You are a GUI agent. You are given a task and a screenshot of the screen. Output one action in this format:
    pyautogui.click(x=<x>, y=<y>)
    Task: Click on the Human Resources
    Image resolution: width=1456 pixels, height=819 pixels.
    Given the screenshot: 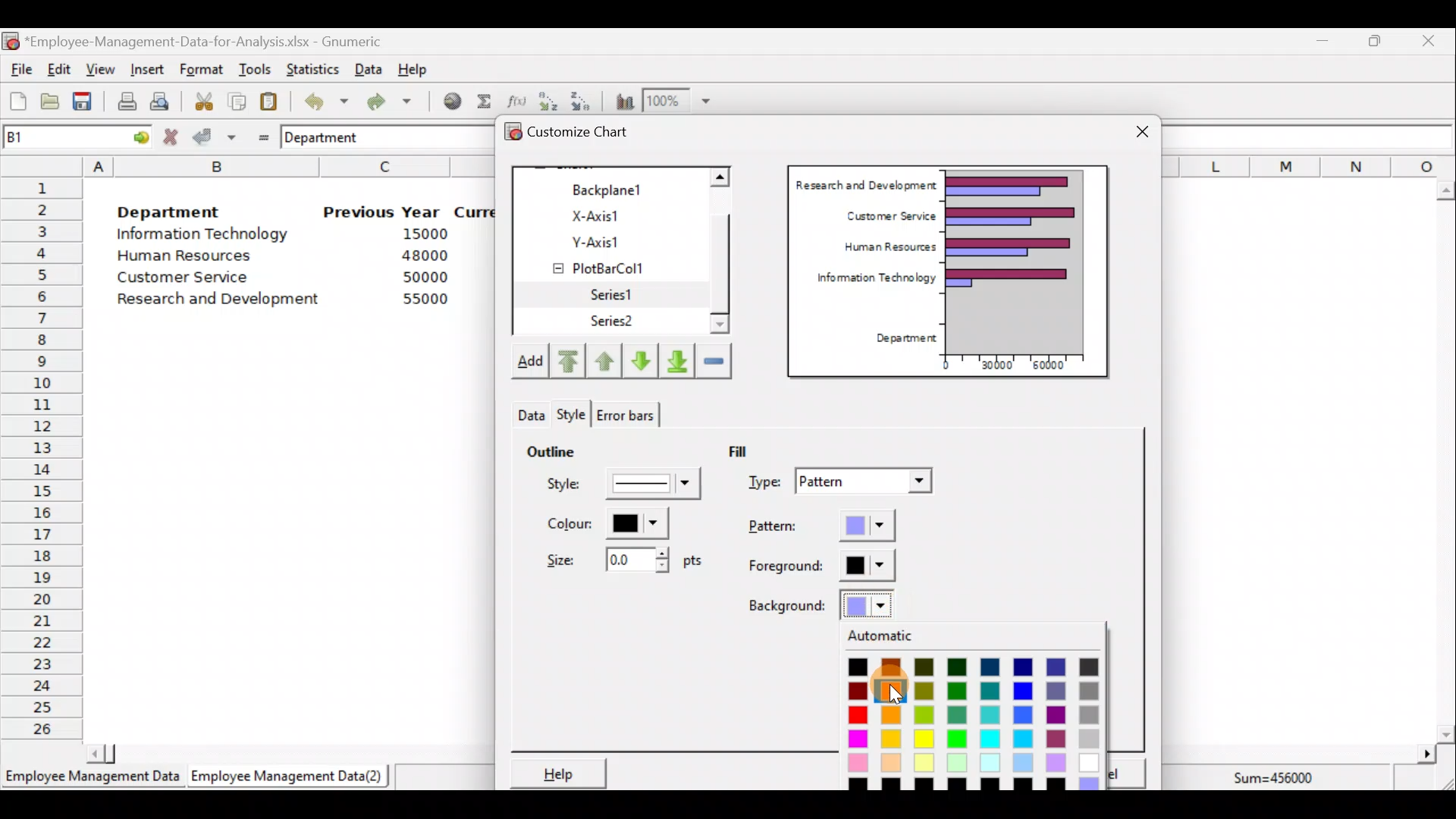 What is the action you would take?
    pyautogui.click(x=192, y=257)
    